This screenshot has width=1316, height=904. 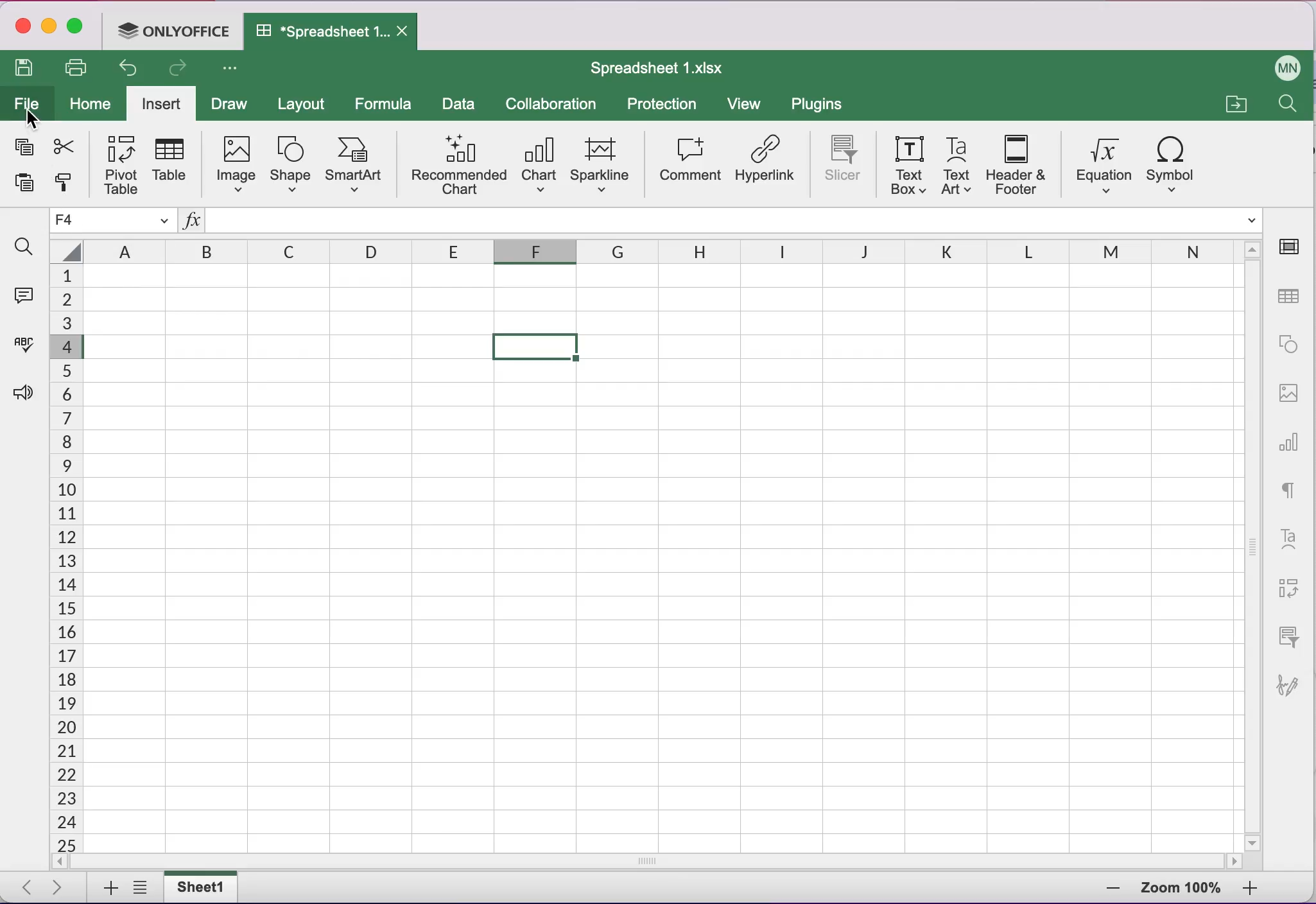 What do you see at coordinates (108, 888) in the screenshot?
I see `add sheet` at bounding box center [108, 888].